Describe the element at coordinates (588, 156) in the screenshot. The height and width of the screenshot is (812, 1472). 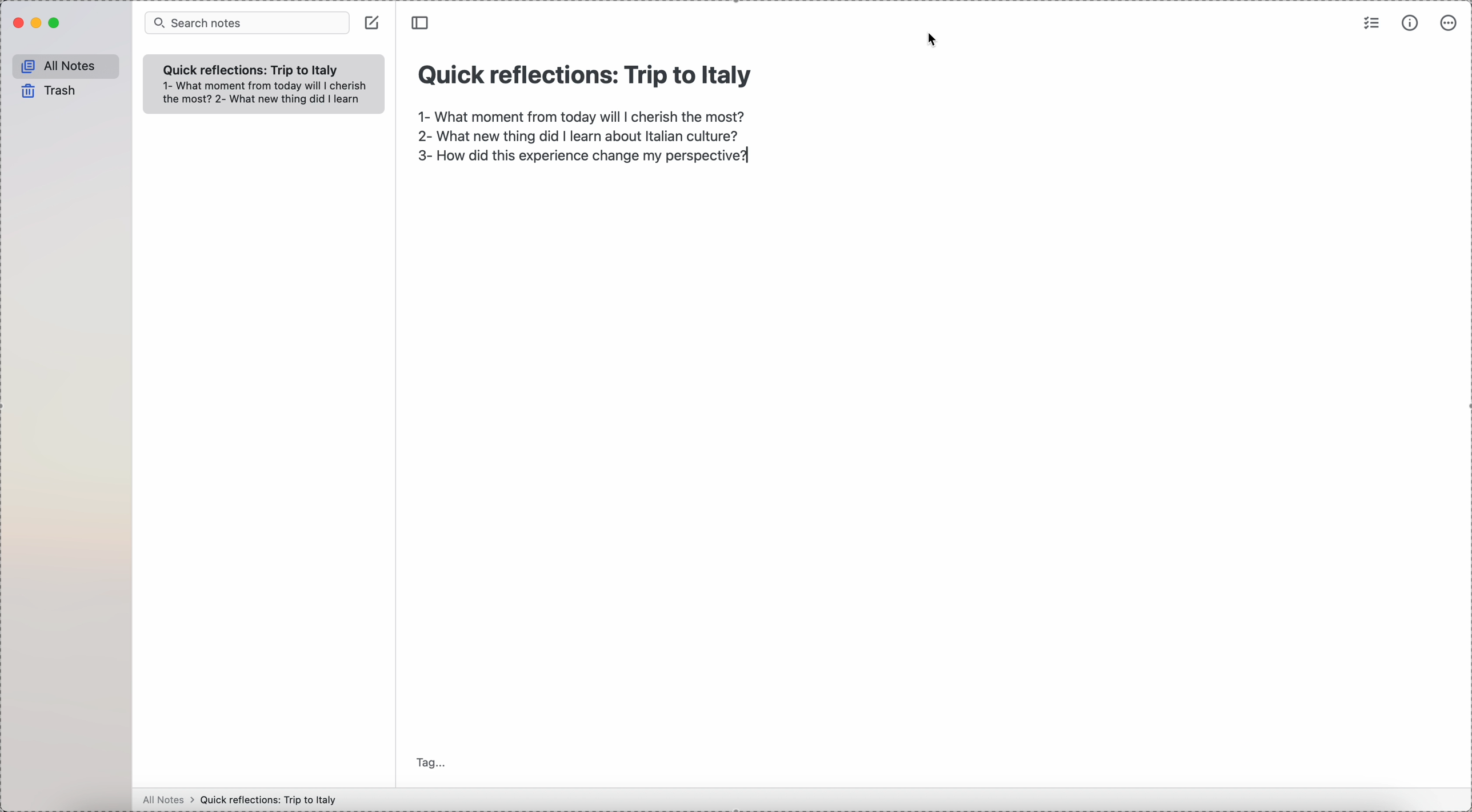
I see `3- How did this experience change my perspective?` at that location.